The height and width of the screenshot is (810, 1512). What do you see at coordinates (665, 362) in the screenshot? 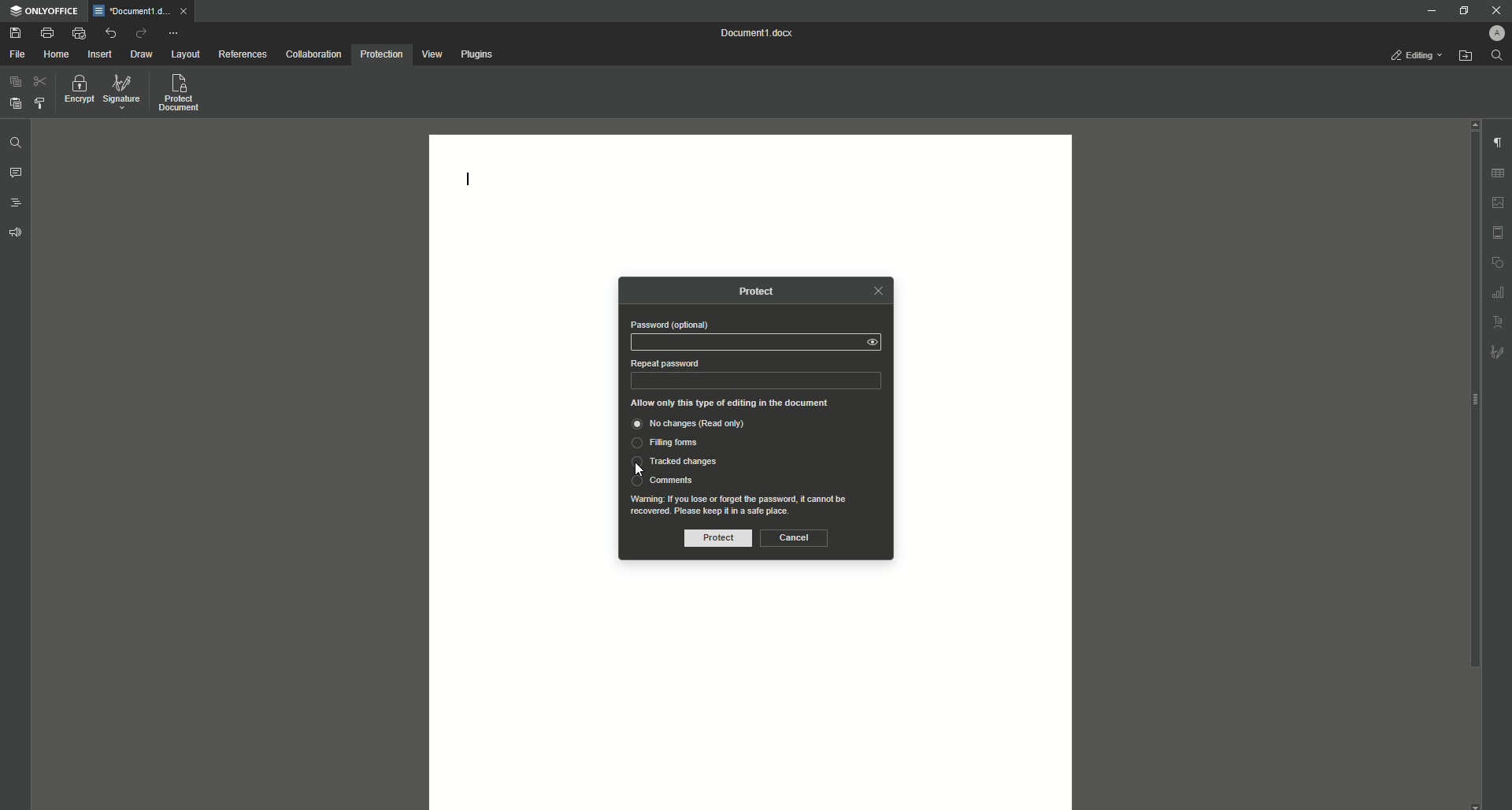
I see `Repeat Password` at bounding box center [665, 362].